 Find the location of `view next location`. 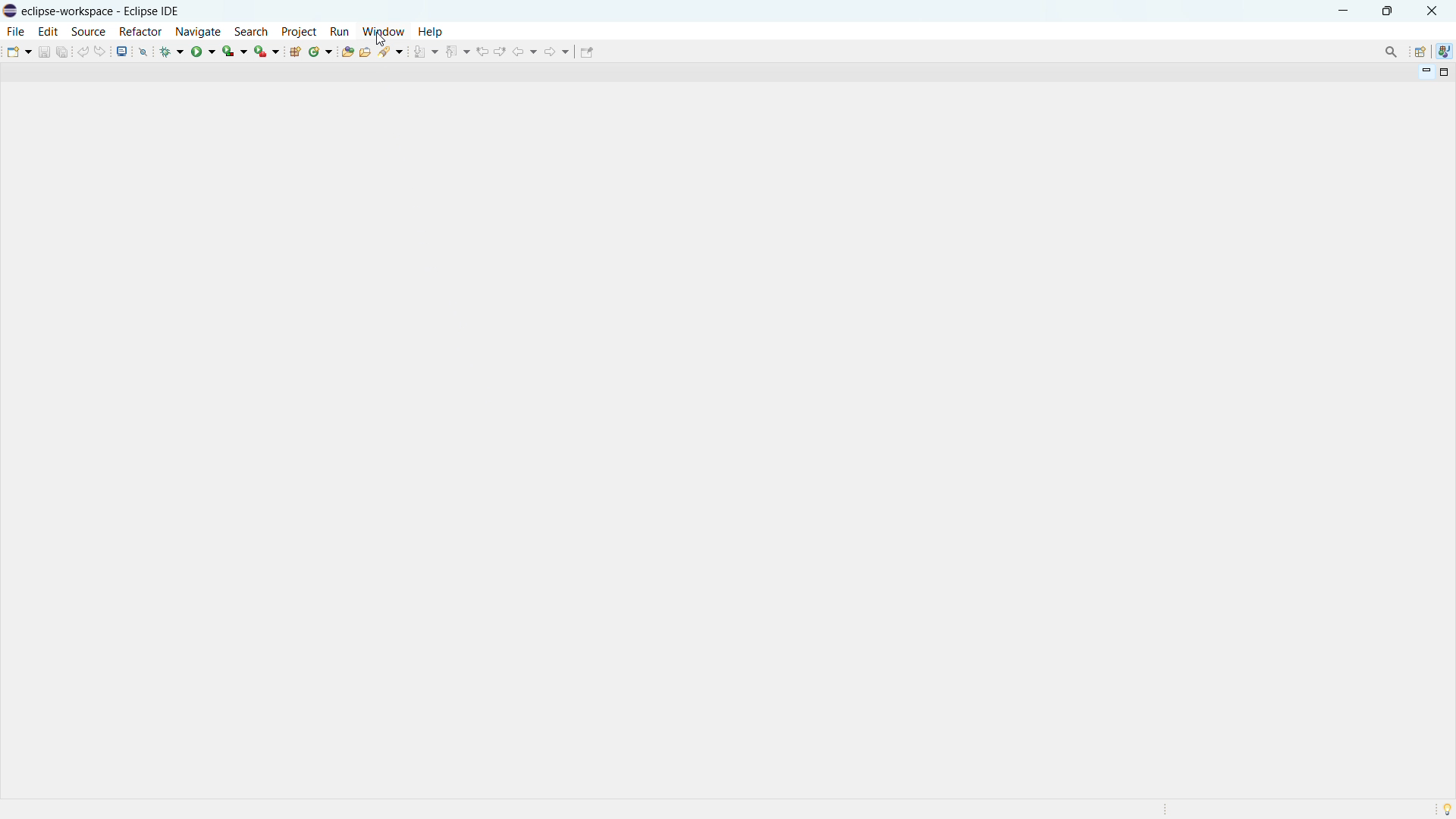

view next location is located at coordinates (501, 50).